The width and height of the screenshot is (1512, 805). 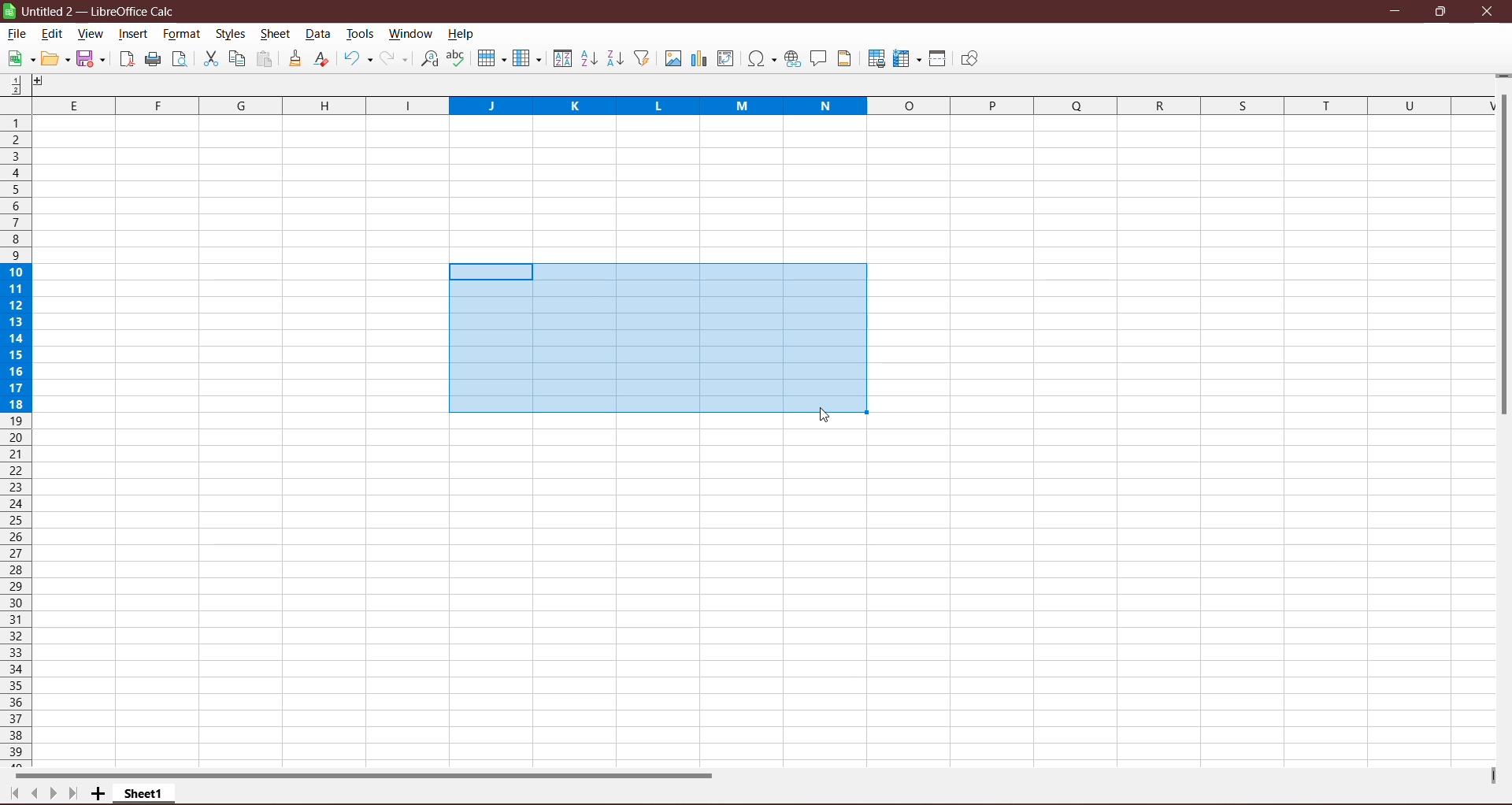 I want to click on New, so click(x=19, y=59).